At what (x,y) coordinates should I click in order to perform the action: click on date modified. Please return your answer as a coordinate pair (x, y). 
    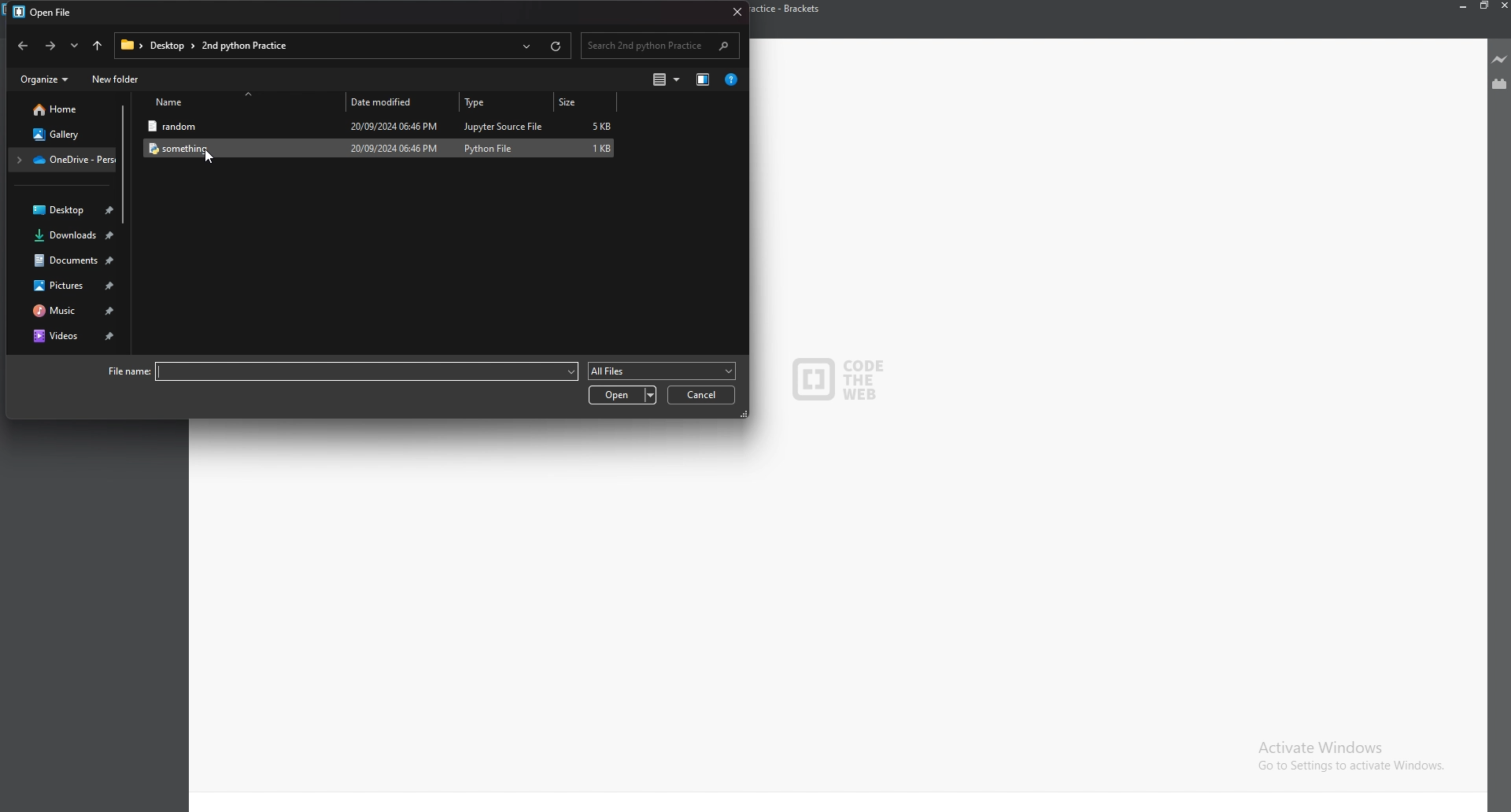
    Looking at the image, I should click on (398, 101).